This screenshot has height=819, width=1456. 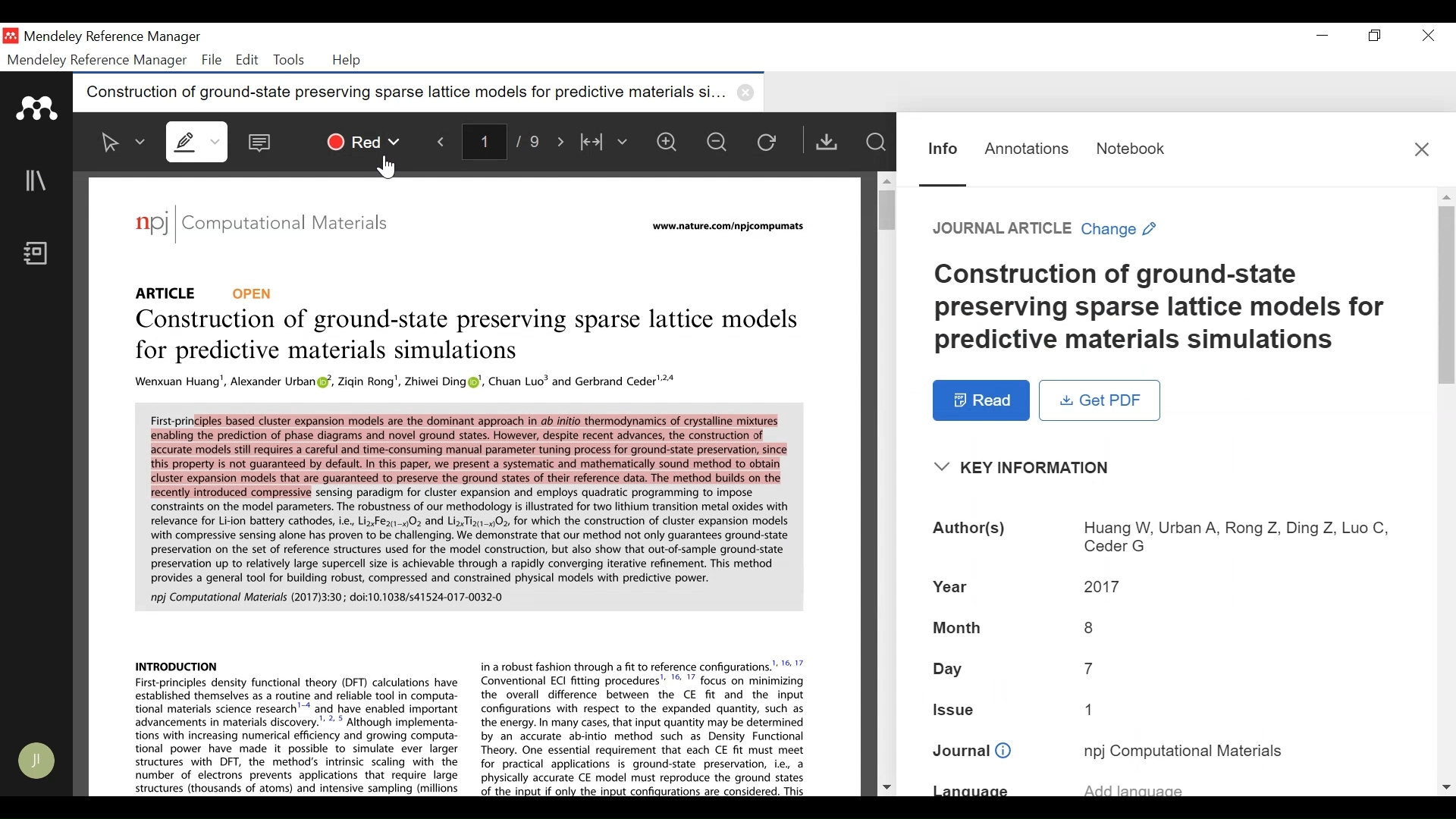 I want to click on Find In File, so click(x=876, y=142).